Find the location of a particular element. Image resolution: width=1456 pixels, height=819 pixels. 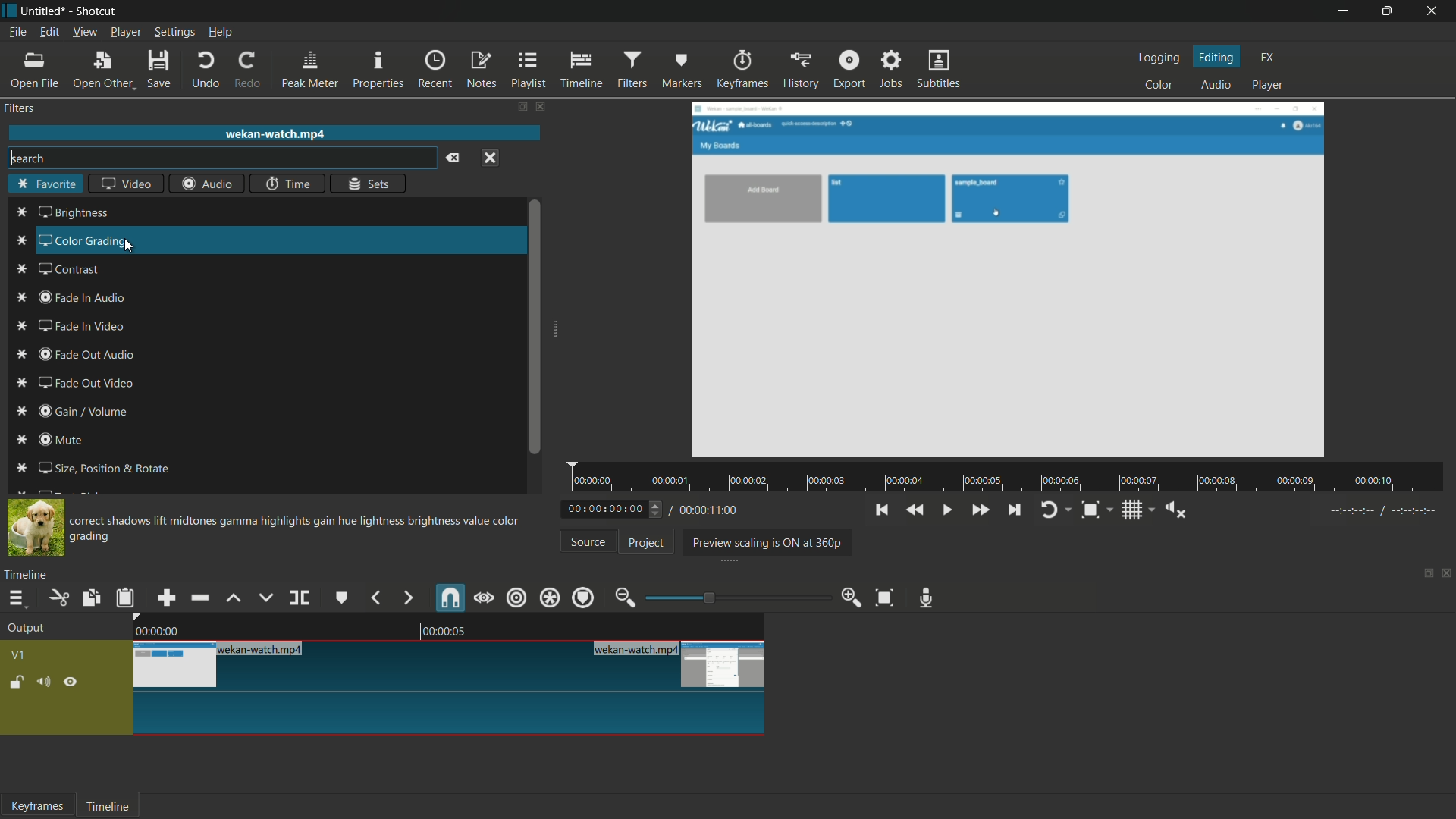

redo is located at coordinates (250, 70).